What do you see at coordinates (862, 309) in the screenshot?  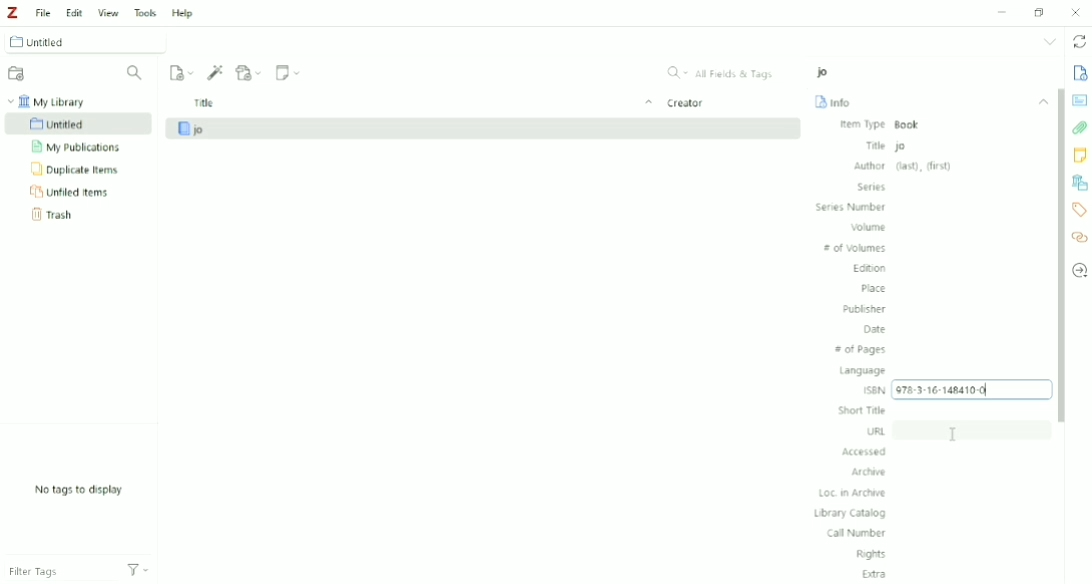 I see `Publisher` at bounding box center [862, 309].